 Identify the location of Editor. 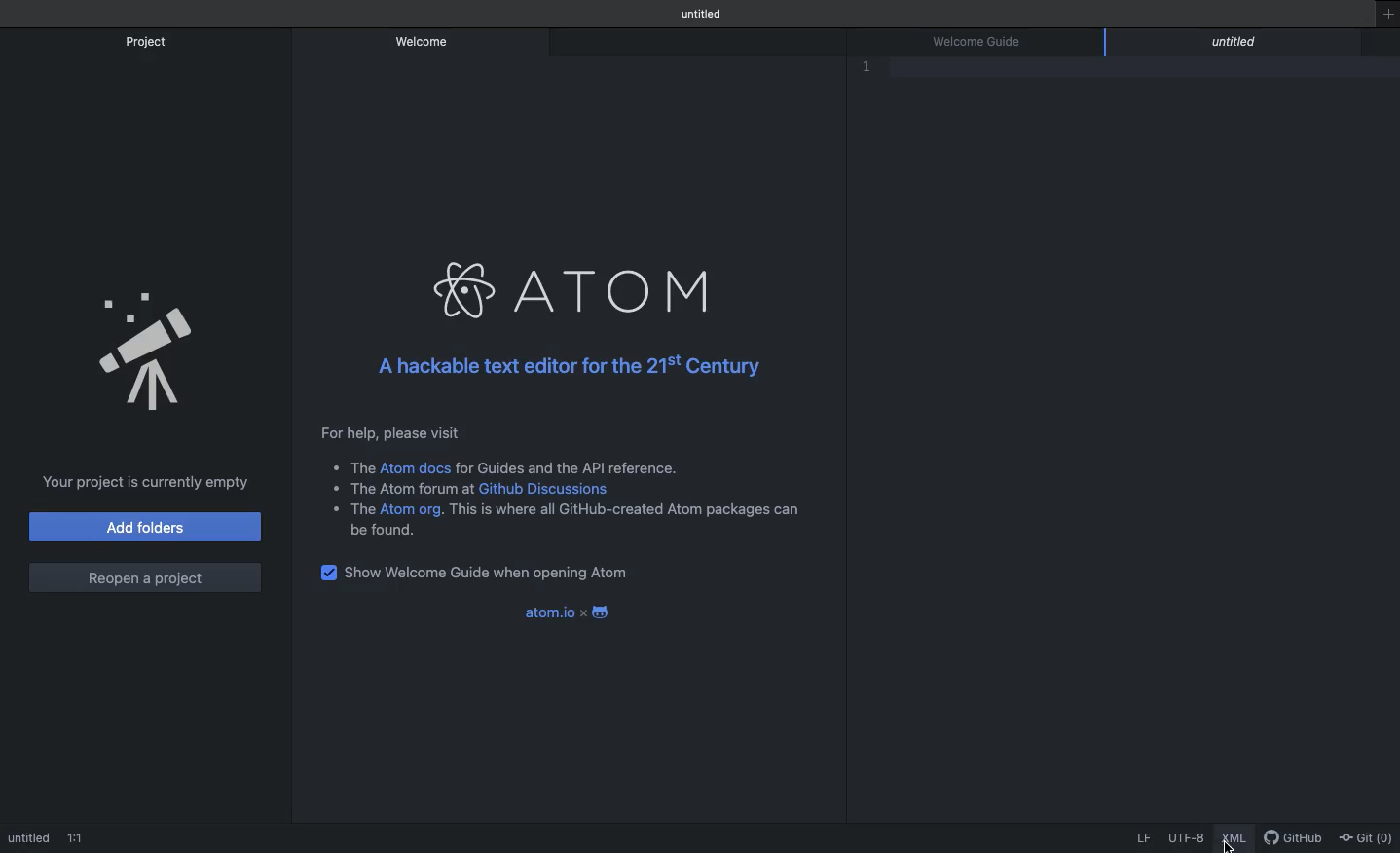
(51, 837).